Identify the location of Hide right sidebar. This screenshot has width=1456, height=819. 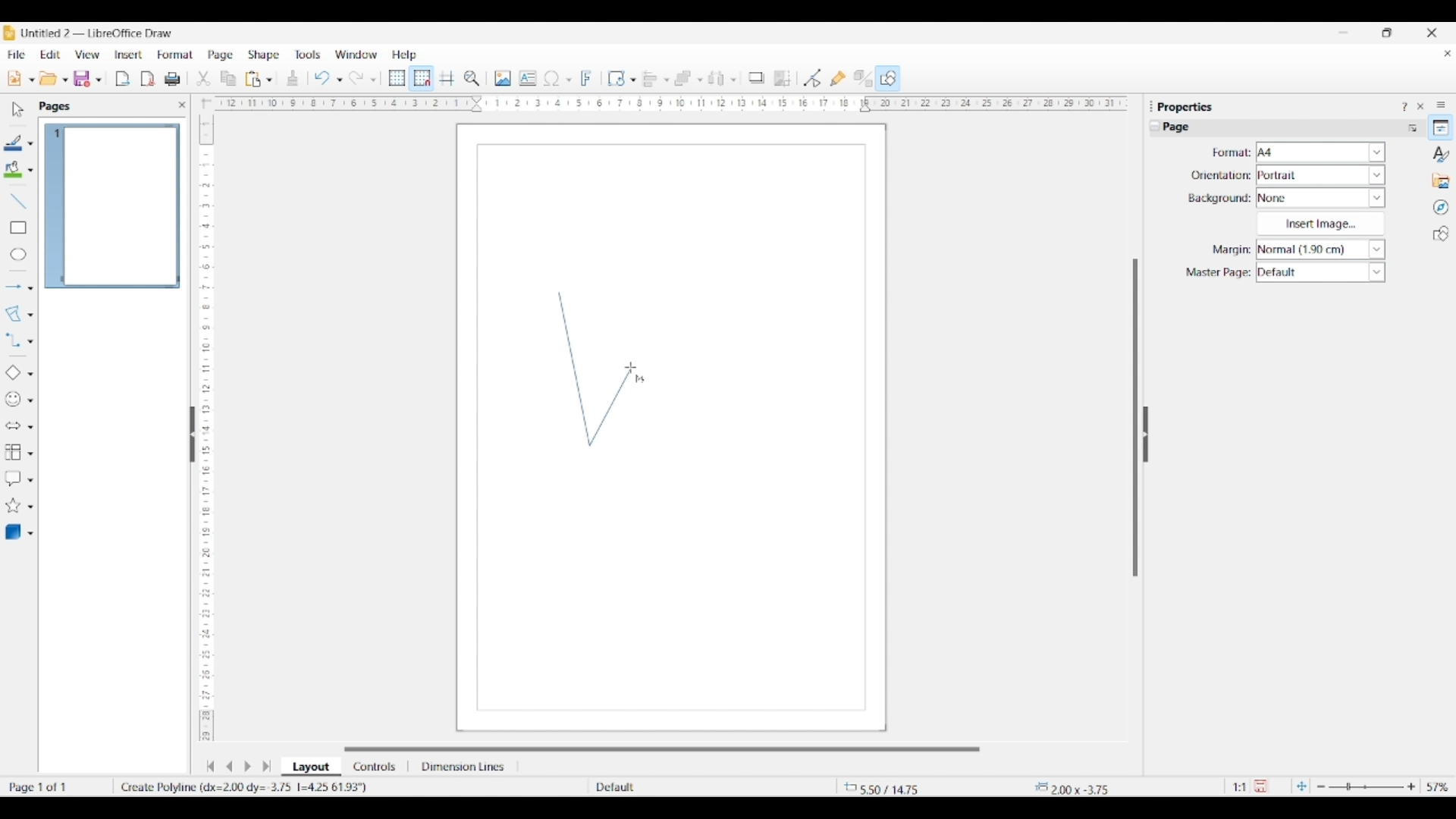
(1145, 435).